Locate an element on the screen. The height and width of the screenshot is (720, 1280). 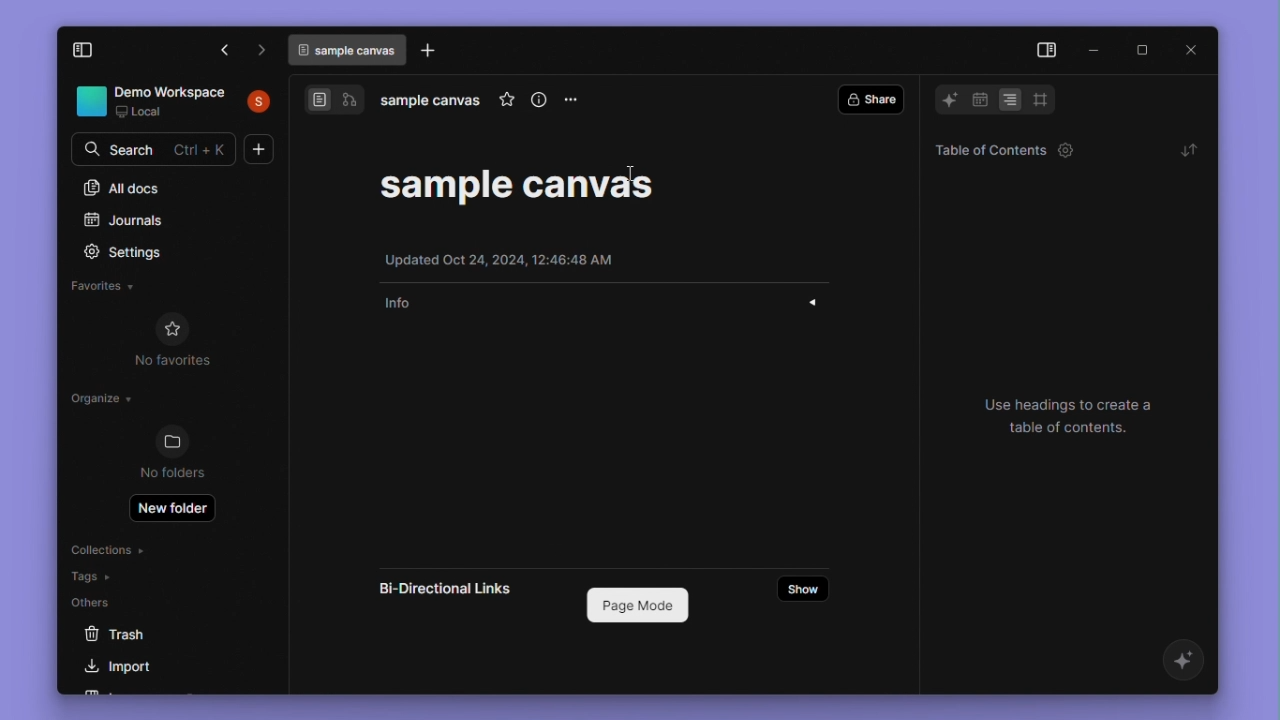
Organise is located at coordinates (104, 402).